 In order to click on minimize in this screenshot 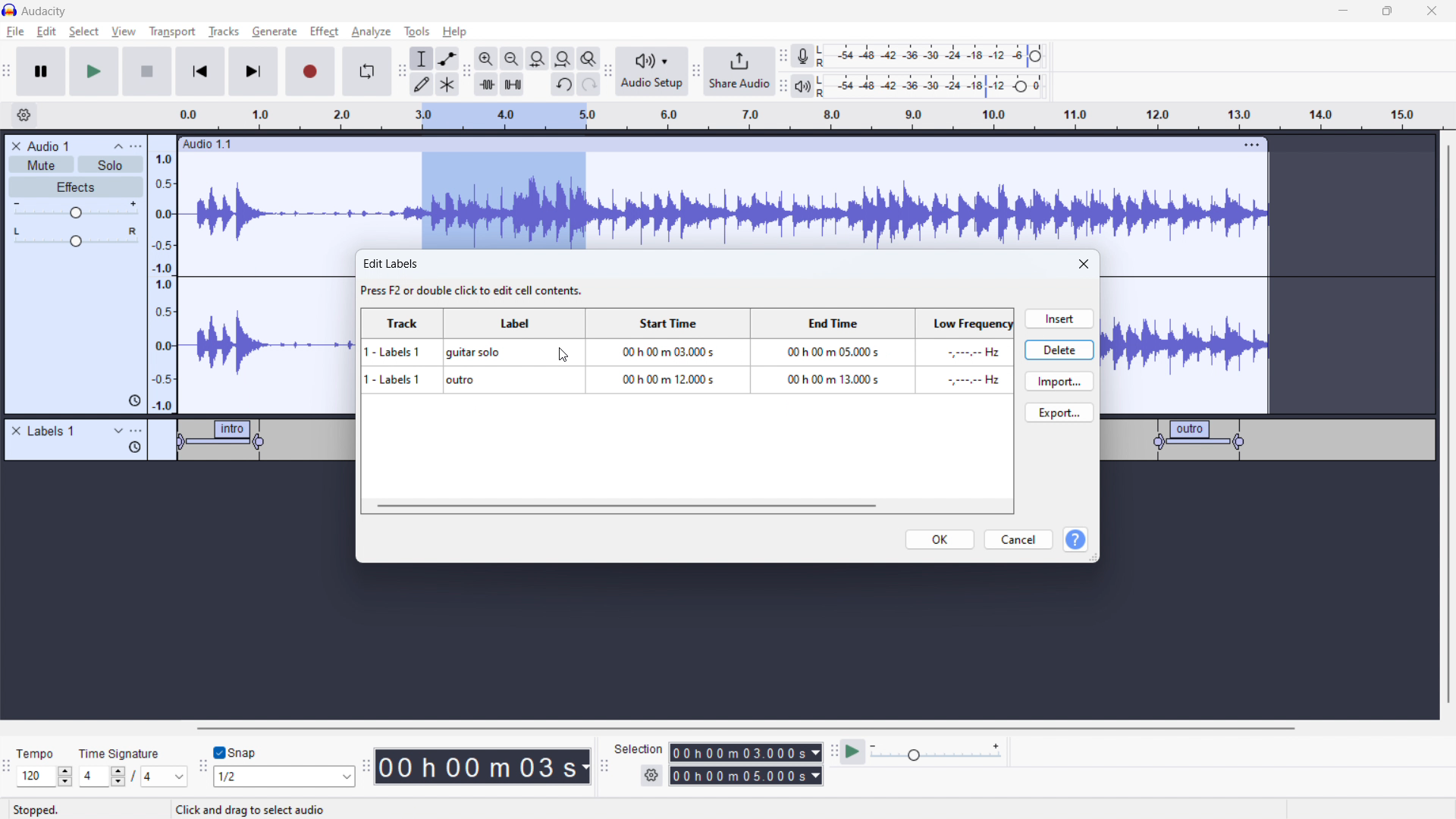, I will do `click(1342, 11)`.